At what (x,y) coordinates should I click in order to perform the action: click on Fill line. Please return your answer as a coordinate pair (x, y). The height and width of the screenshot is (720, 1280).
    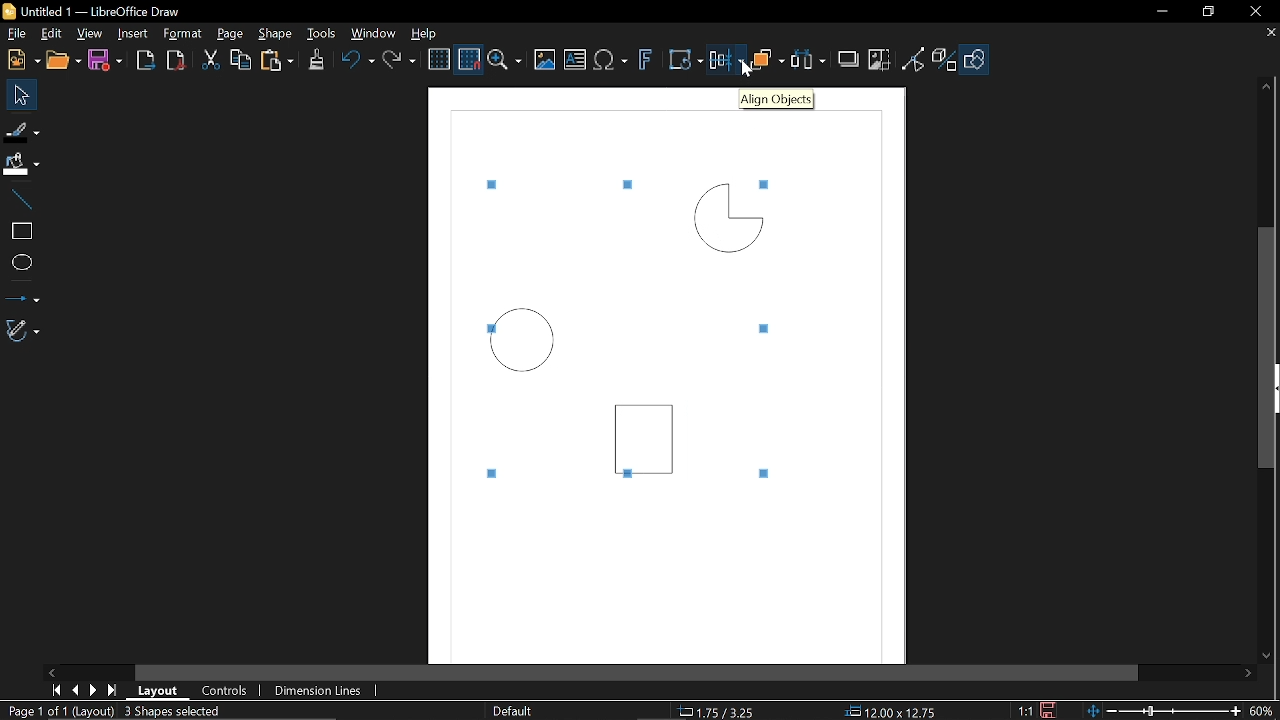
    Looking at the image, I should click on (22, 130).